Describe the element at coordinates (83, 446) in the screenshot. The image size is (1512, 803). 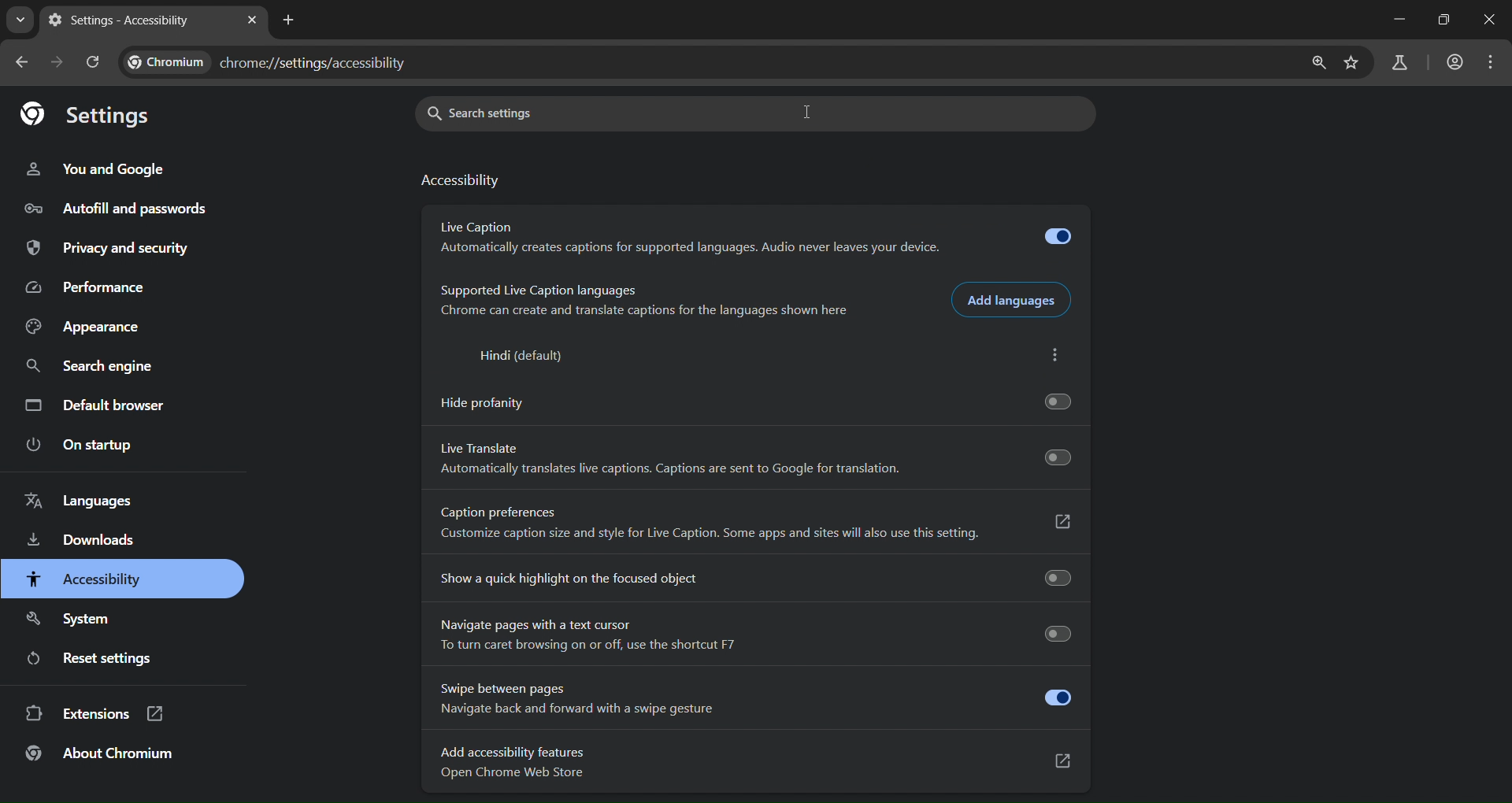
I see `on startup` at that location.